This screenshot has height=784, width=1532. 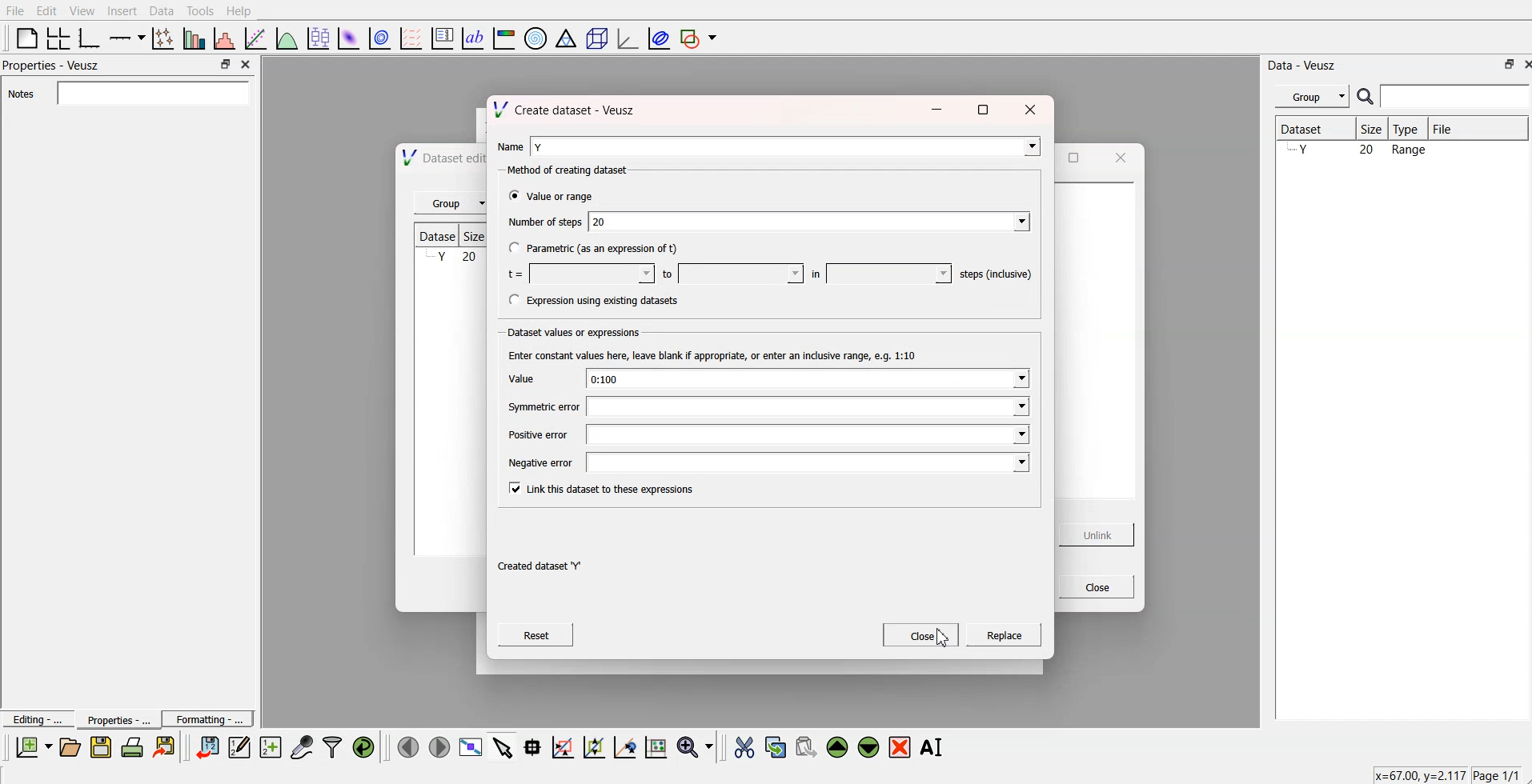 I want to click on Move to previous page, so click(x=406, y=746).